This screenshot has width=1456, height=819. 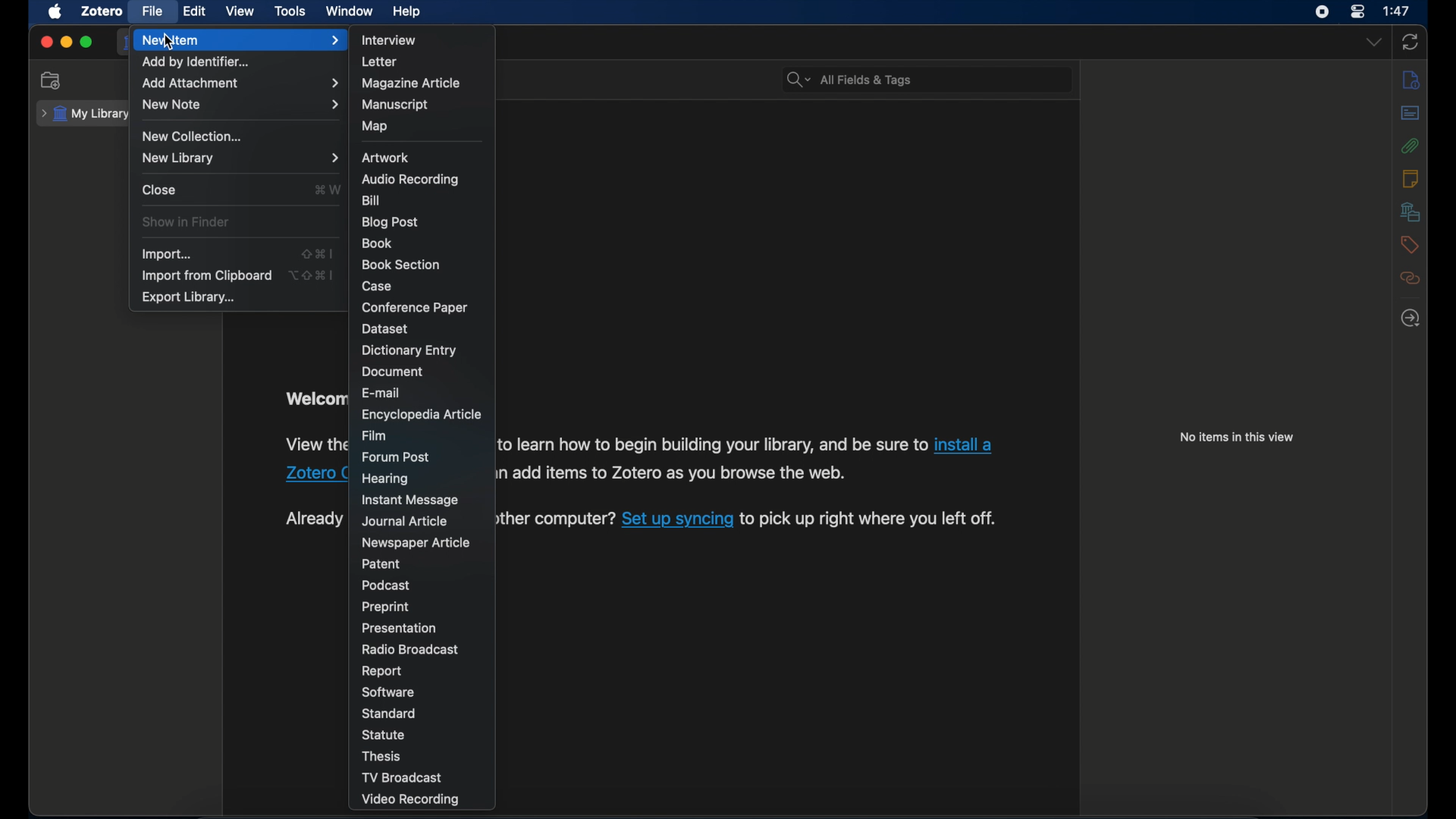 I want to click on bill, so click(x=372, y=199).